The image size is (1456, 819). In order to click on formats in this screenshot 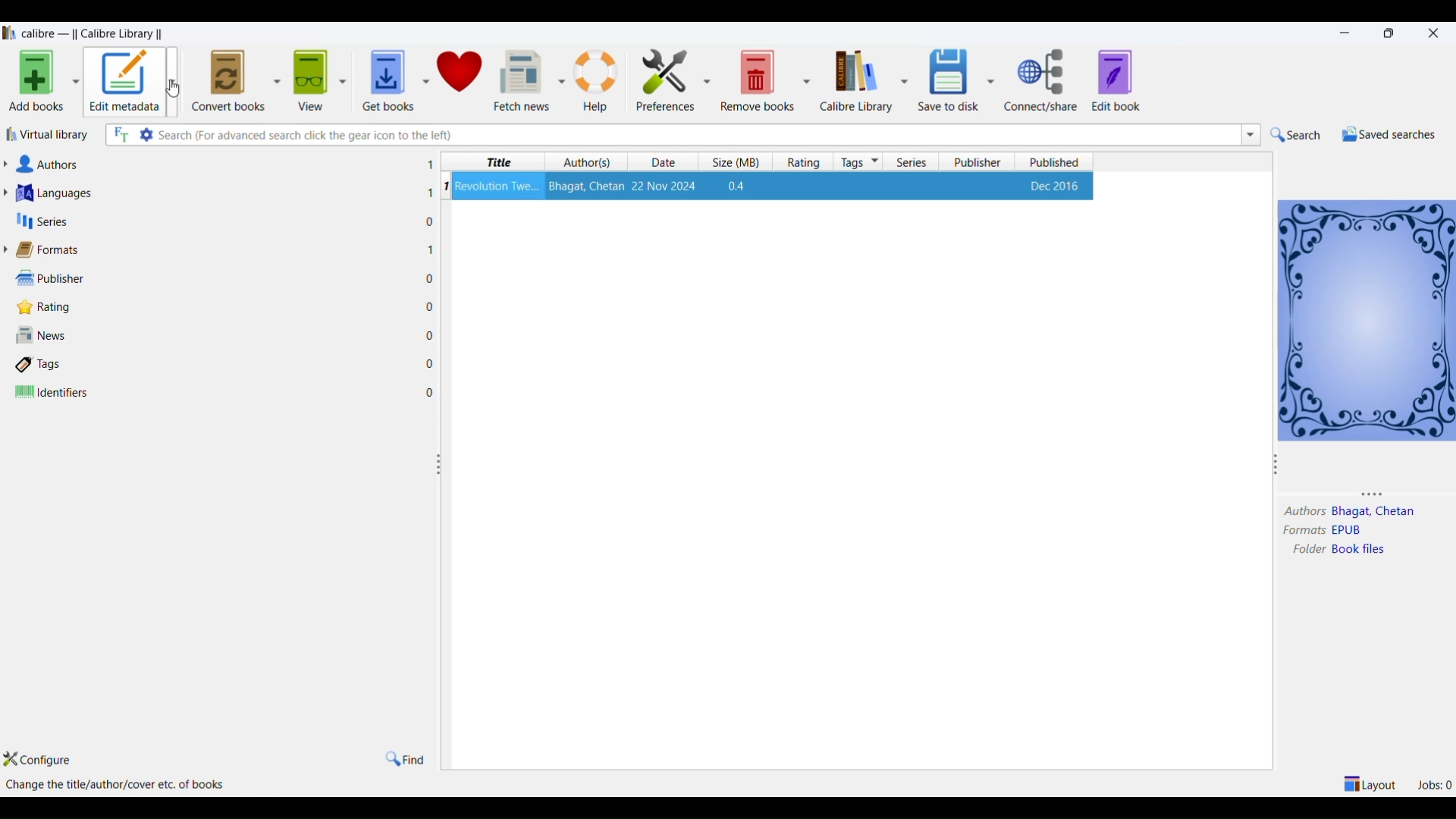, I will do `click(1300, 531)`.